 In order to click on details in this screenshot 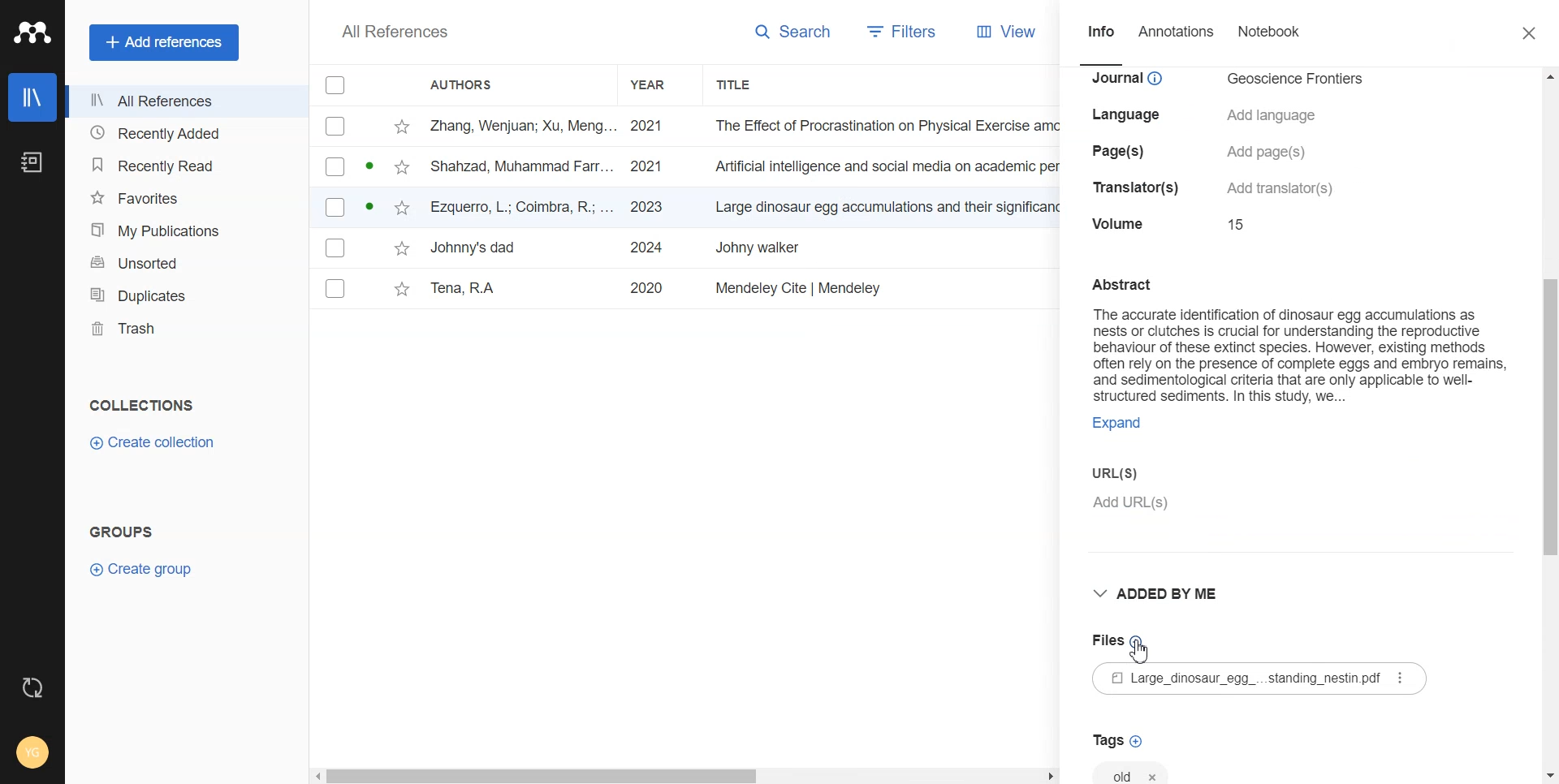, I will do `click(1133, 80)`.